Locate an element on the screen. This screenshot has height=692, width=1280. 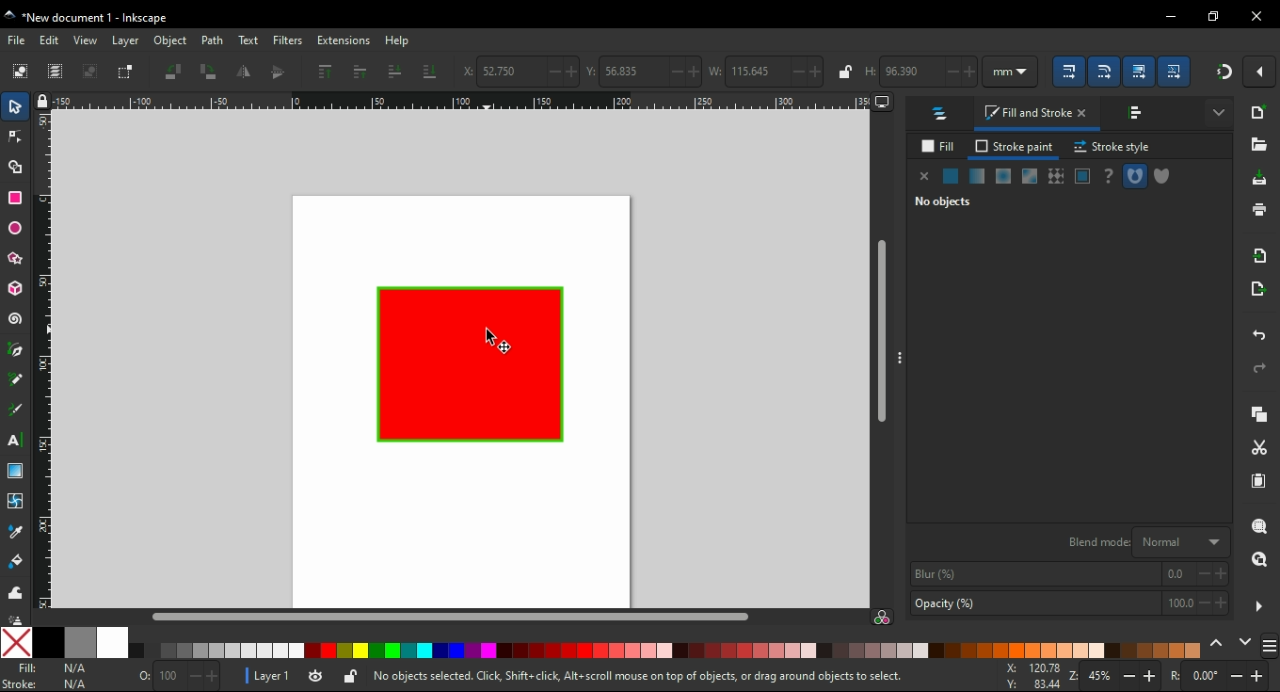
zoom drawing is located at coordinates (1258, 561).